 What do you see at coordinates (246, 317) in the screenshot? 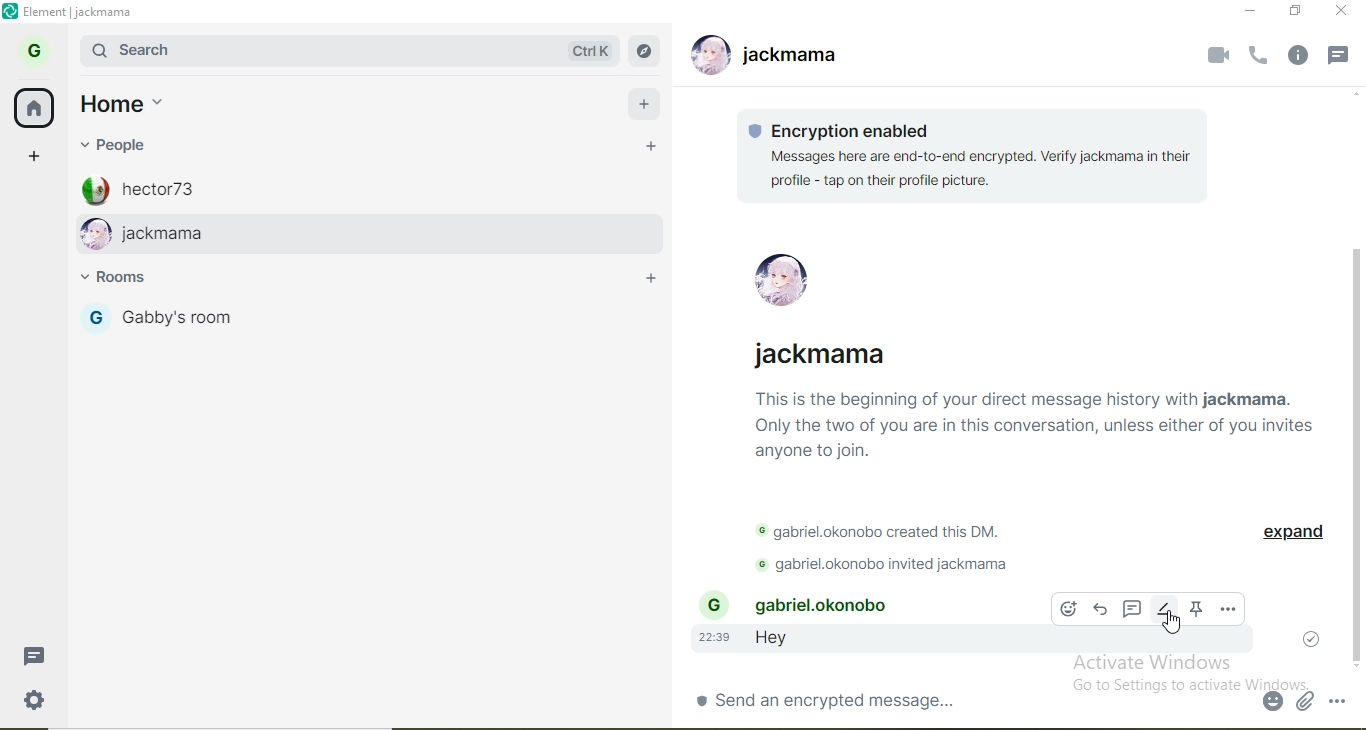
I see `gabby's room` at bounding box center [246, 317].